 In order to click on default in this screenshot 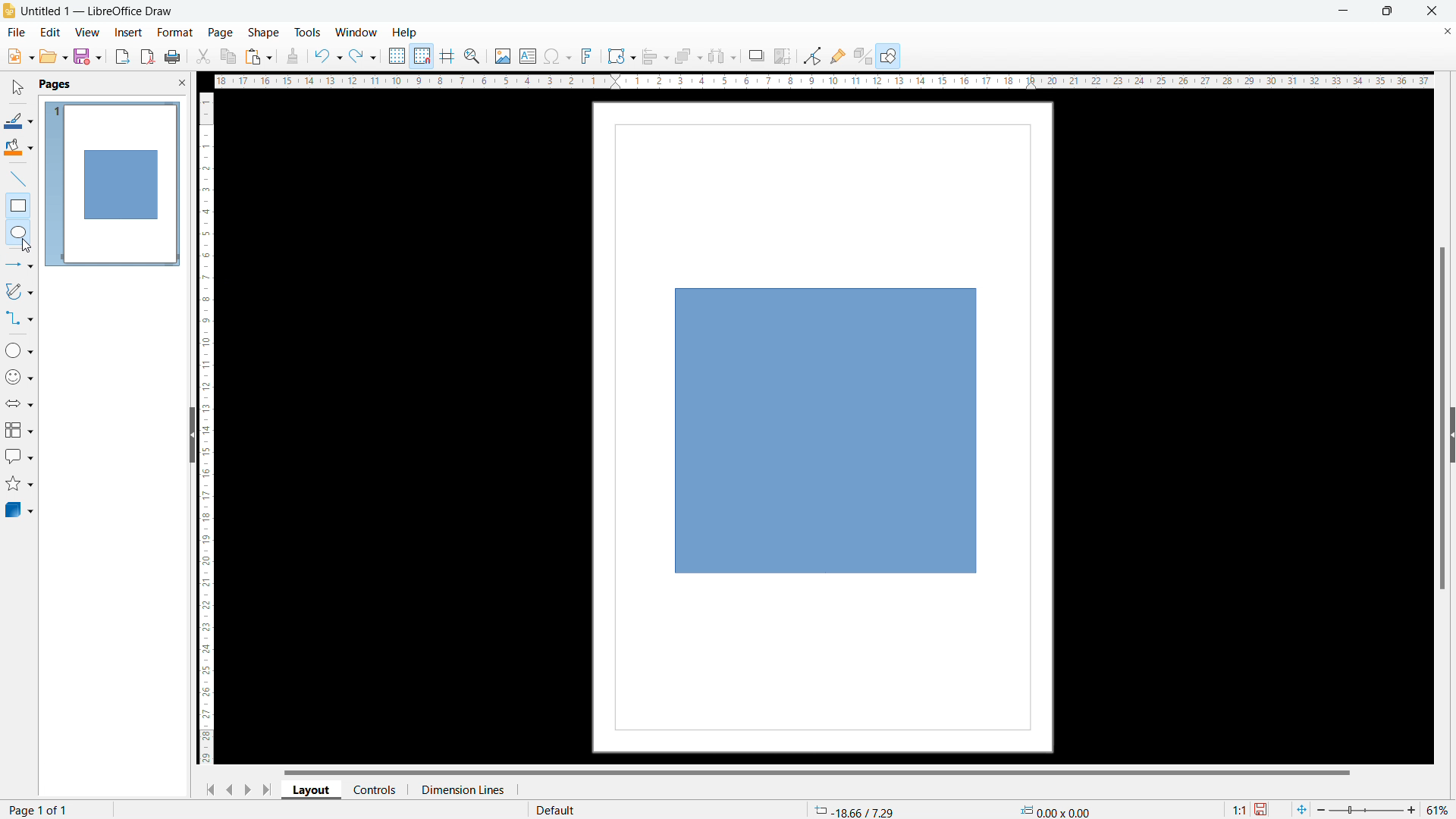, I will do `click(554, 809)`.